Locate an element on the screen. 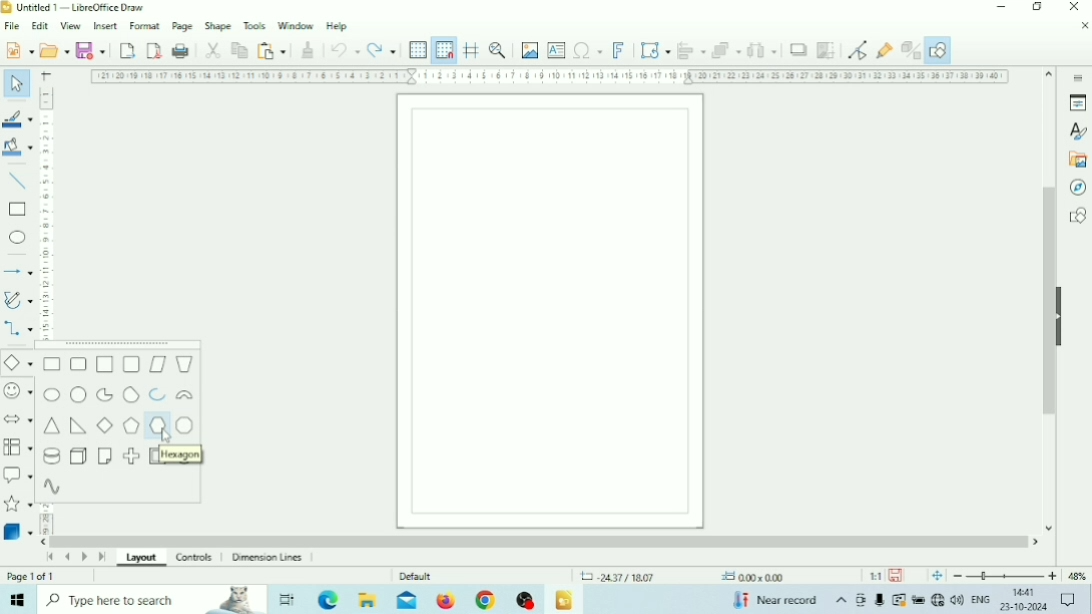  Pentagon is located at coordinates (132, 425).